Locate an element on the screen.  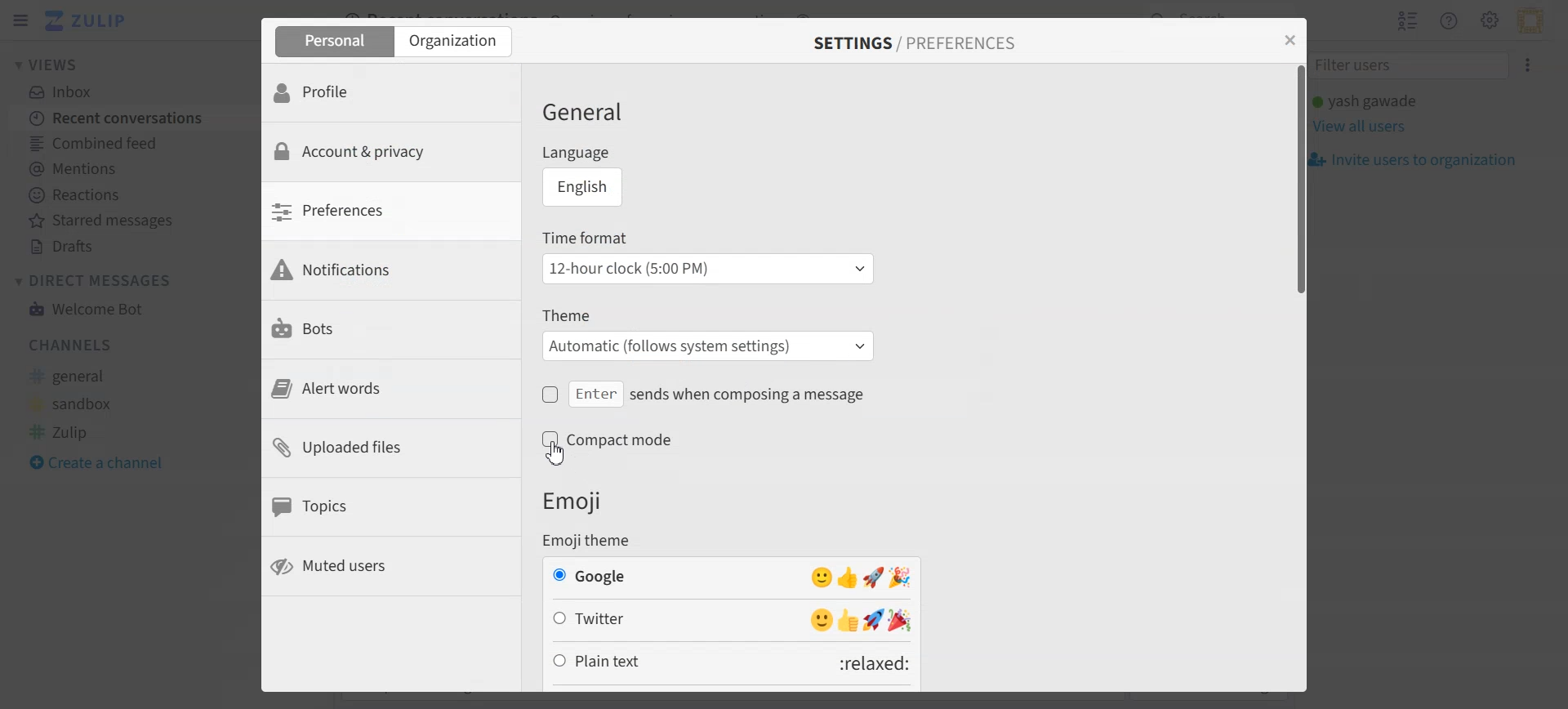
Emoji theme is located at coordinates (596, 541).